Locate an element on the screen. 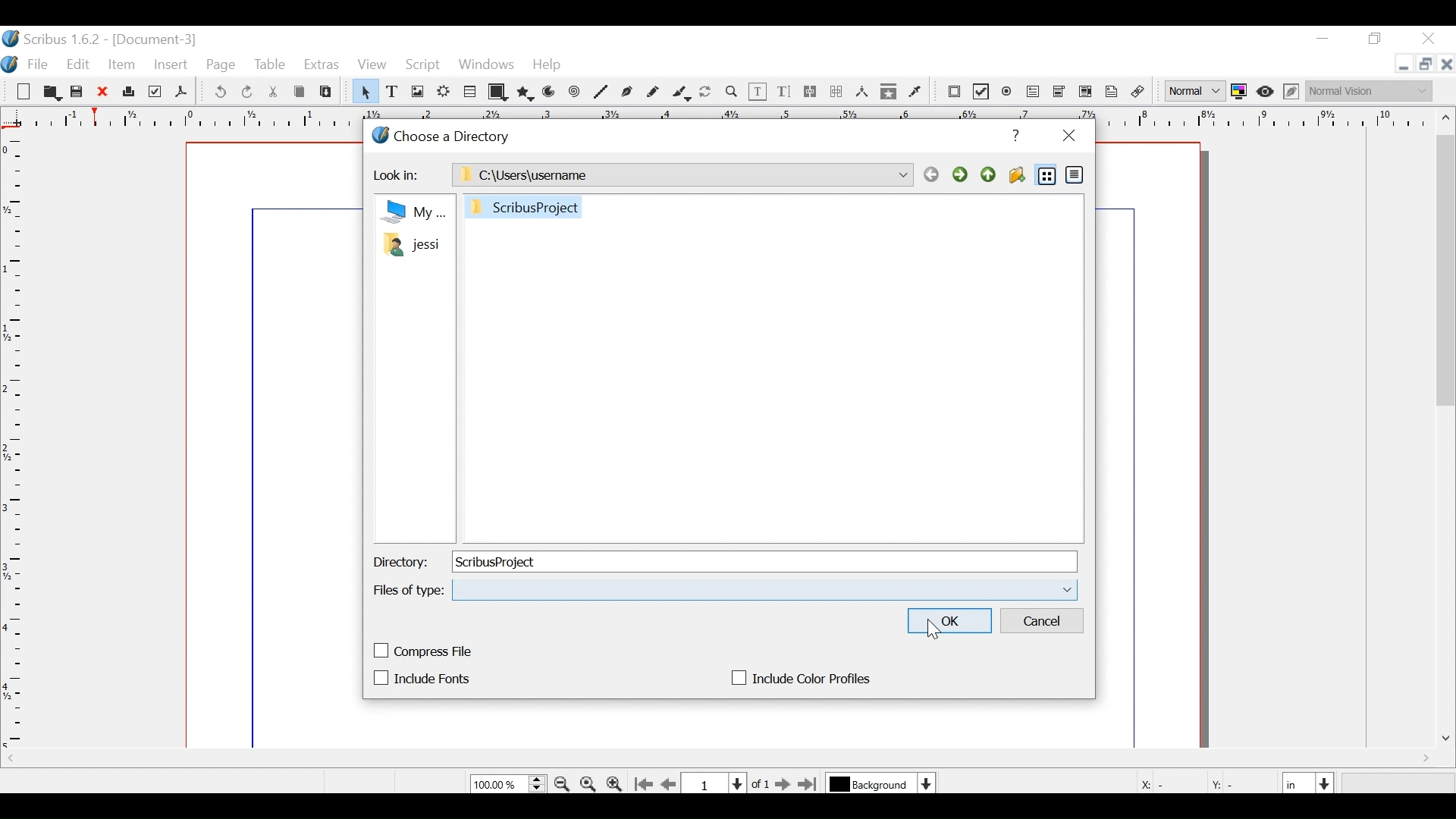 The image size is (1456, 819). Unlink Annotation is located at coordinates (1138, 93).